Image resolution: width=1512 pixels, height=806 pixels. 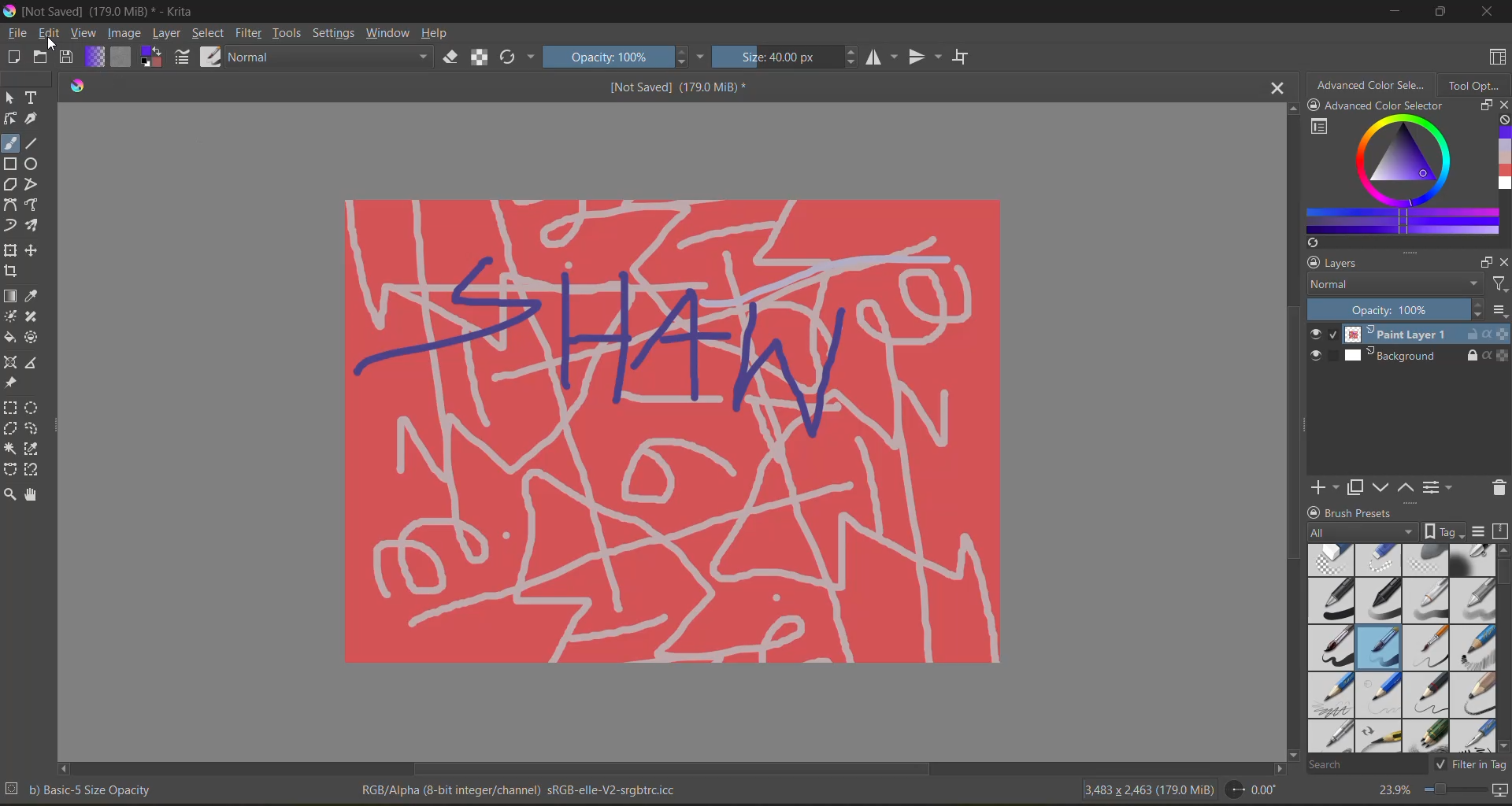 What do you see at coordinates (1492, 13) in the screenshot?
I see `close` at bounding box center [1492, 13].